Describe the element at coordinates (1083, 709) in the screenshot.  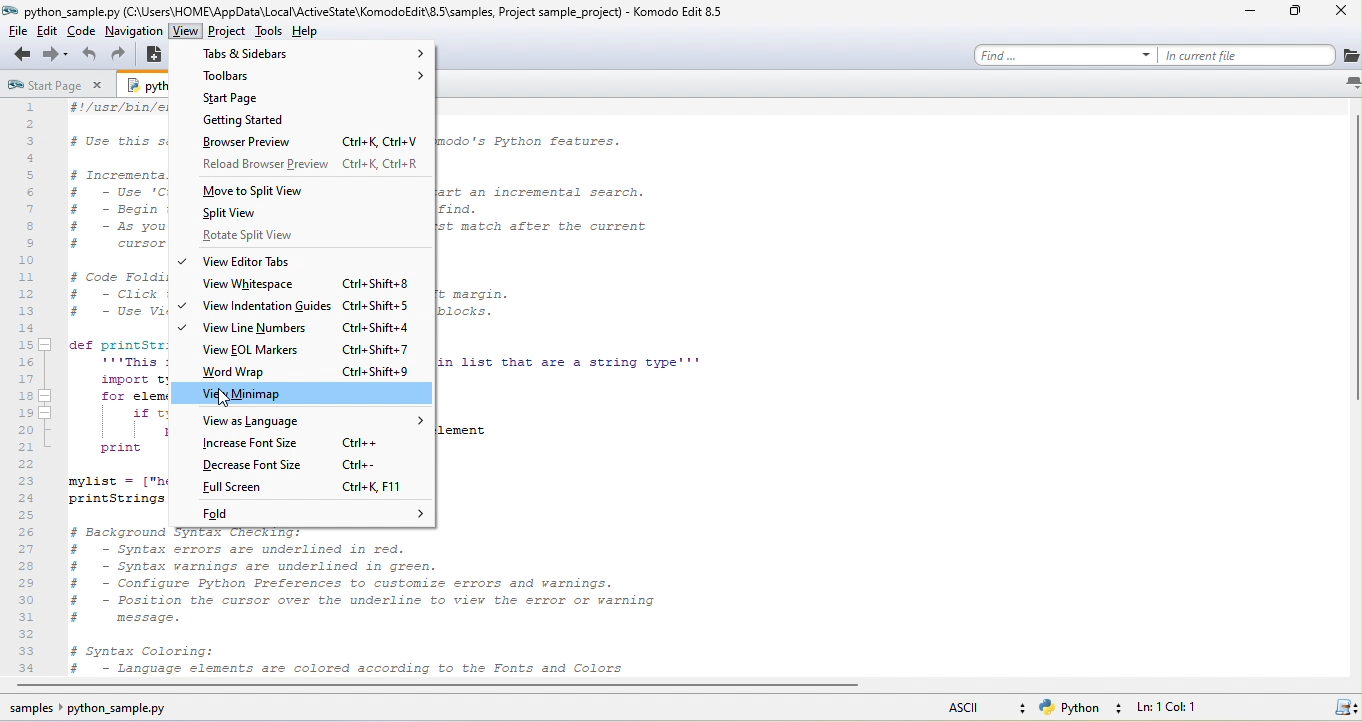
I see `python` at that location.